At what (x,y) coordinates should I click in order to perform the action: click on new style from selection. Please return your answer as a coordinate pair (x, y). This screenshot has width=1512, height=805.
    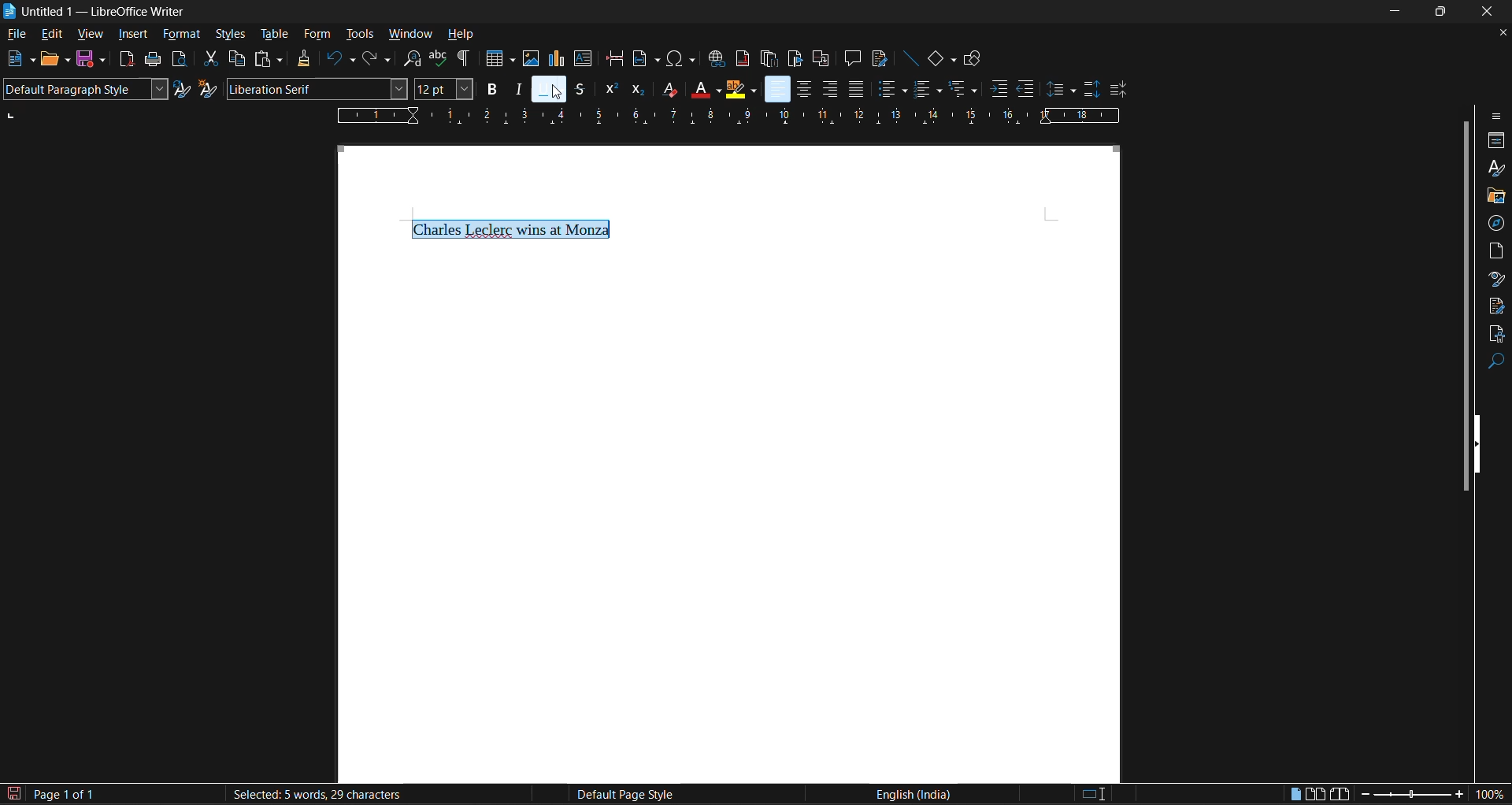
    Looking at the image, I should click on (210, 89).